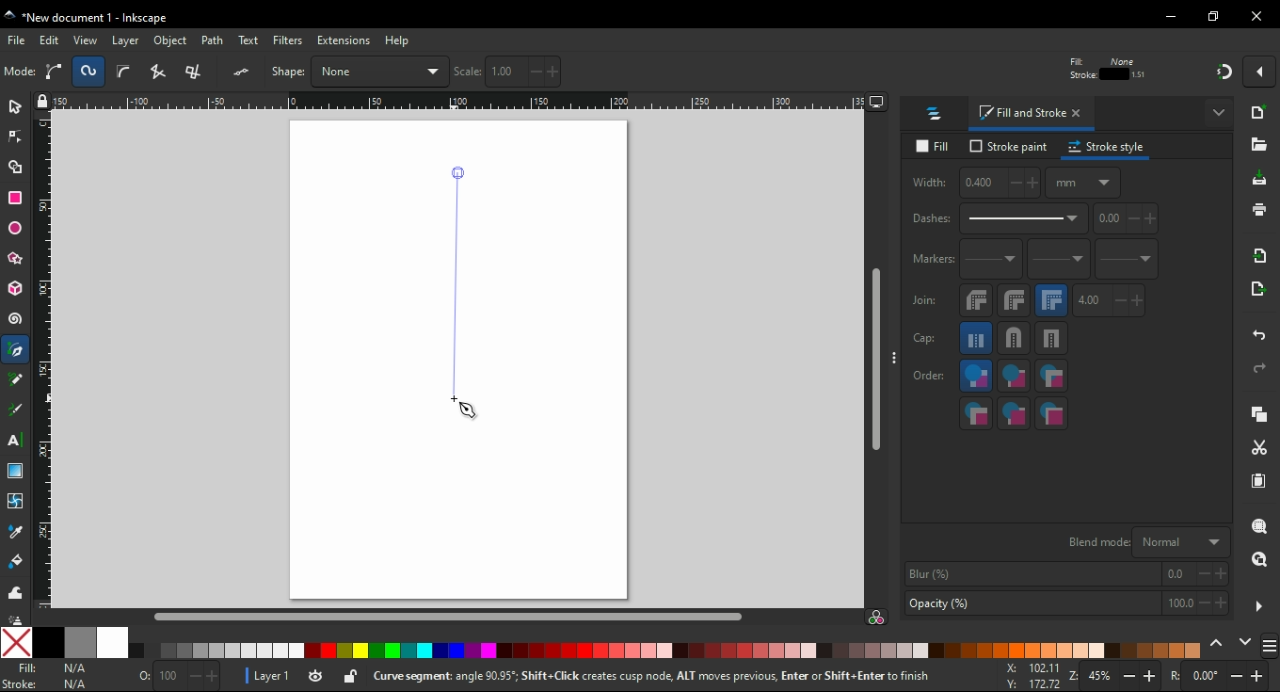  I want to click on text tool, so click(15, 440).